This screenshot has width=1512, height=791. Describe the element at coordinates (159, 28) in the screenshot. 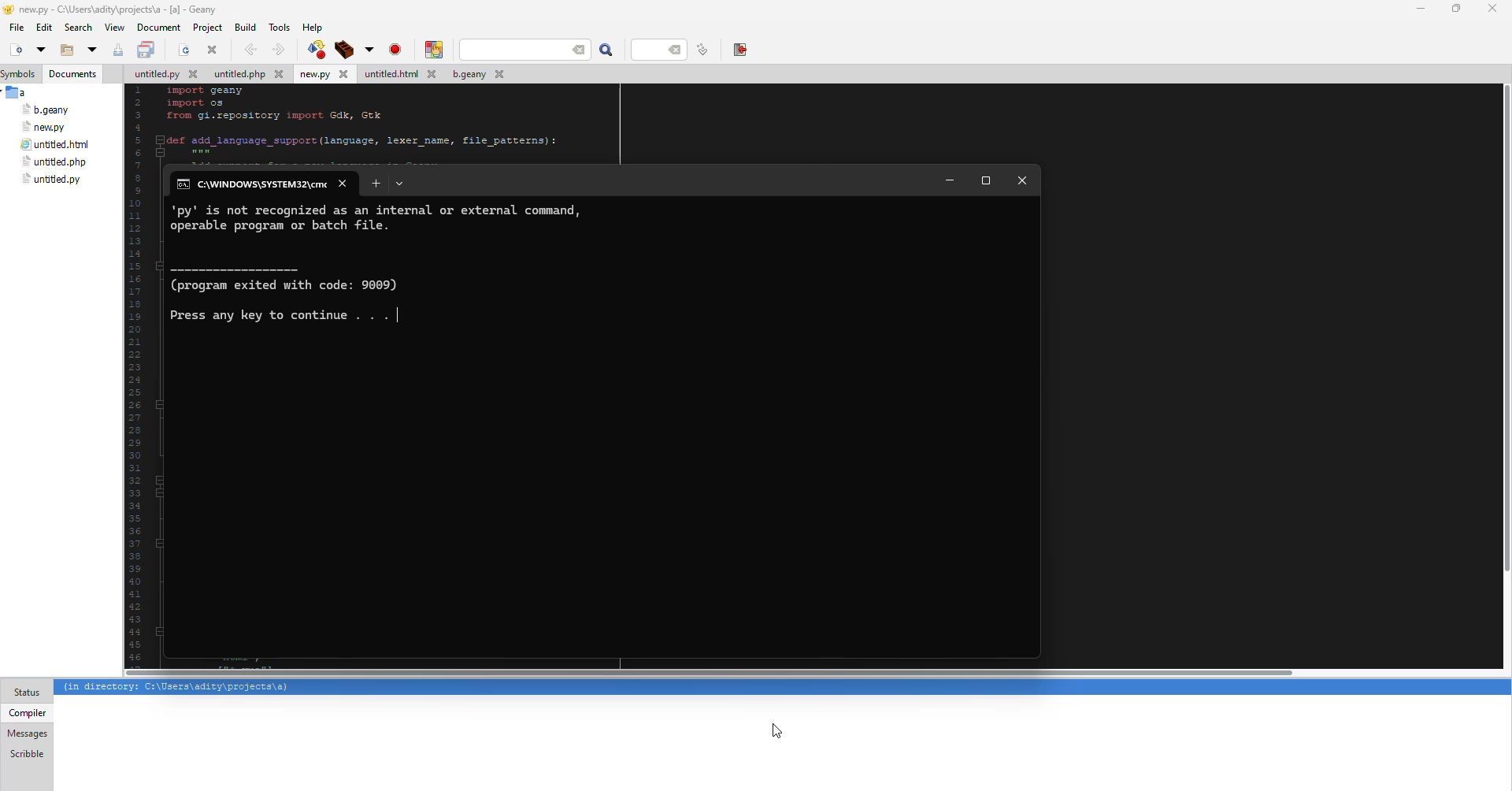

I see `document` at that location.